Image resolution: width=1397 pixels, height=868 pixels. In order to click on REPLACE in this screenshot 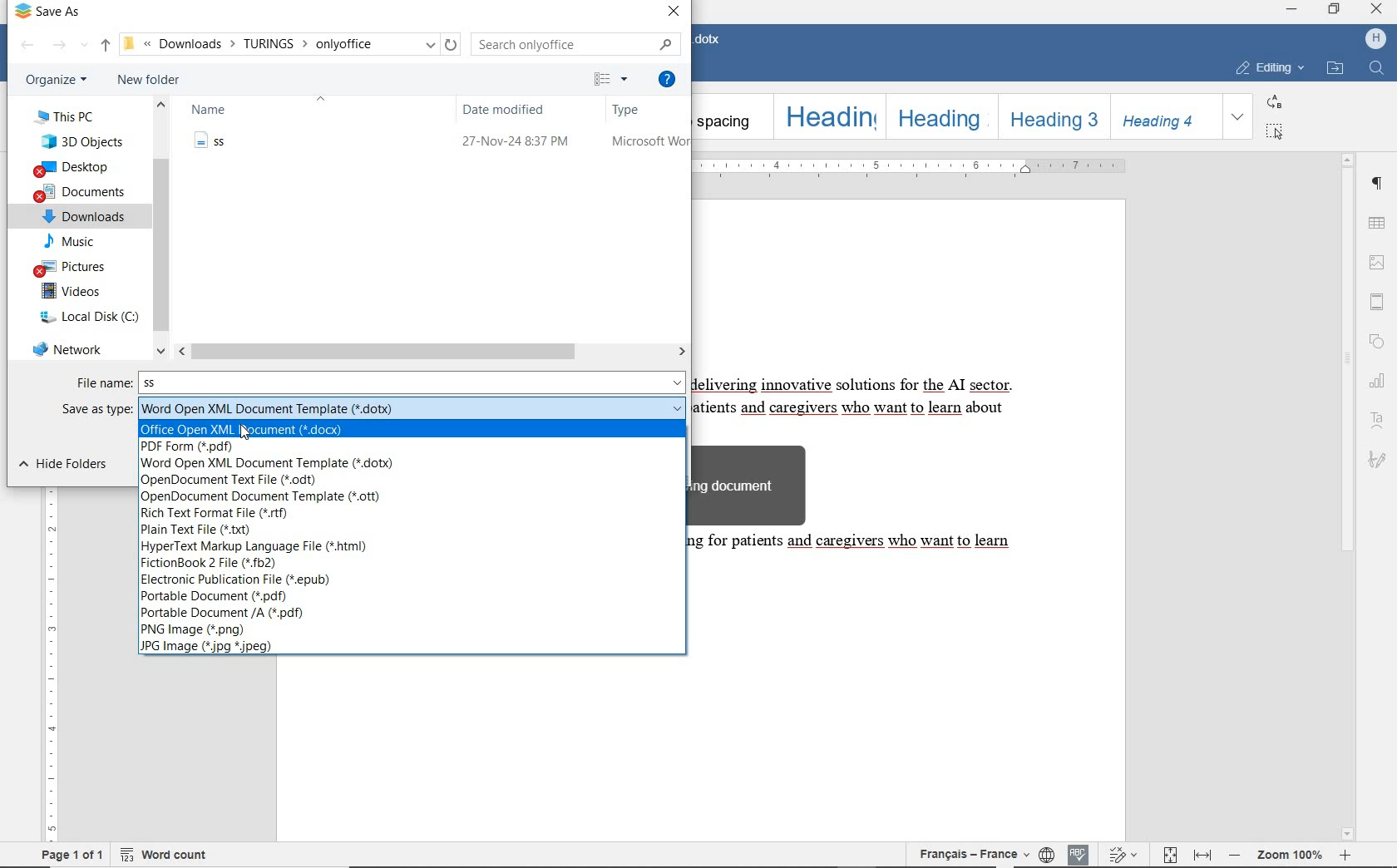, I will do `click(1274, 101)`.